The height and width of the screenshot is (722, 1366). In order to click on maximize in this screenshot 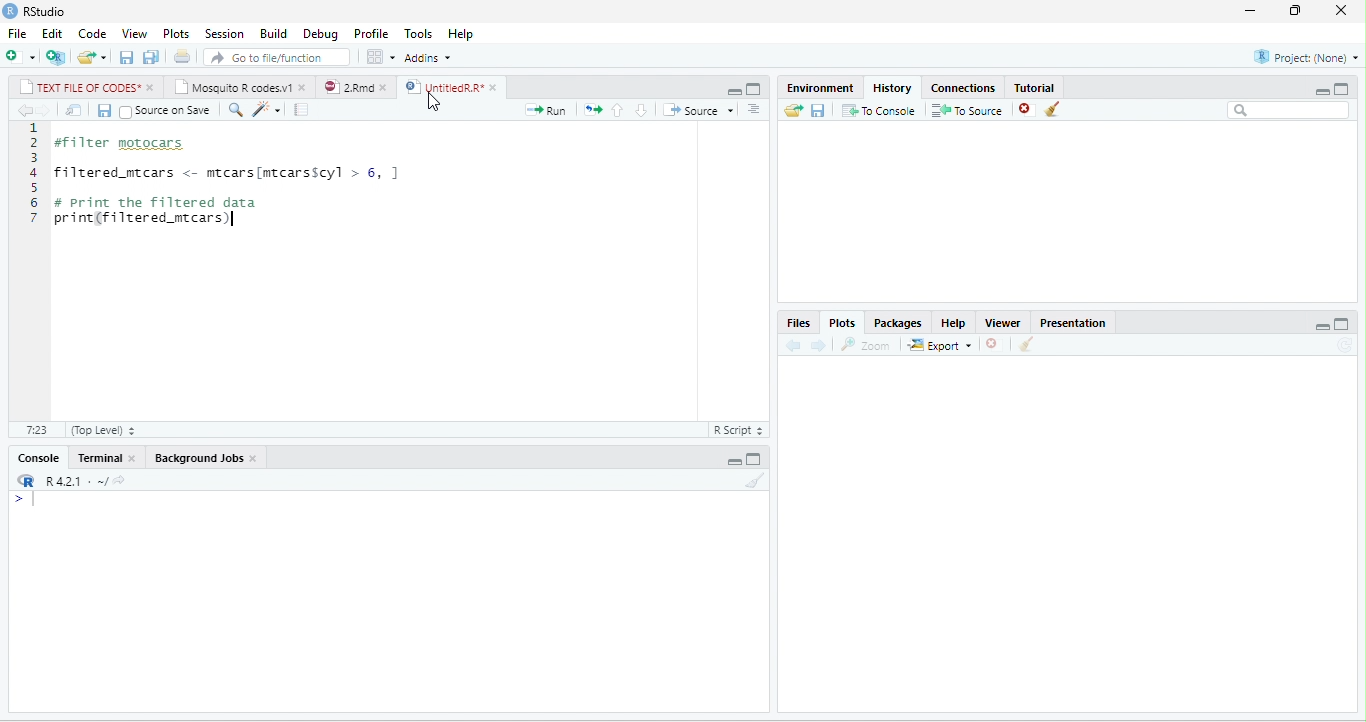, I will do `click(753, 89)`.